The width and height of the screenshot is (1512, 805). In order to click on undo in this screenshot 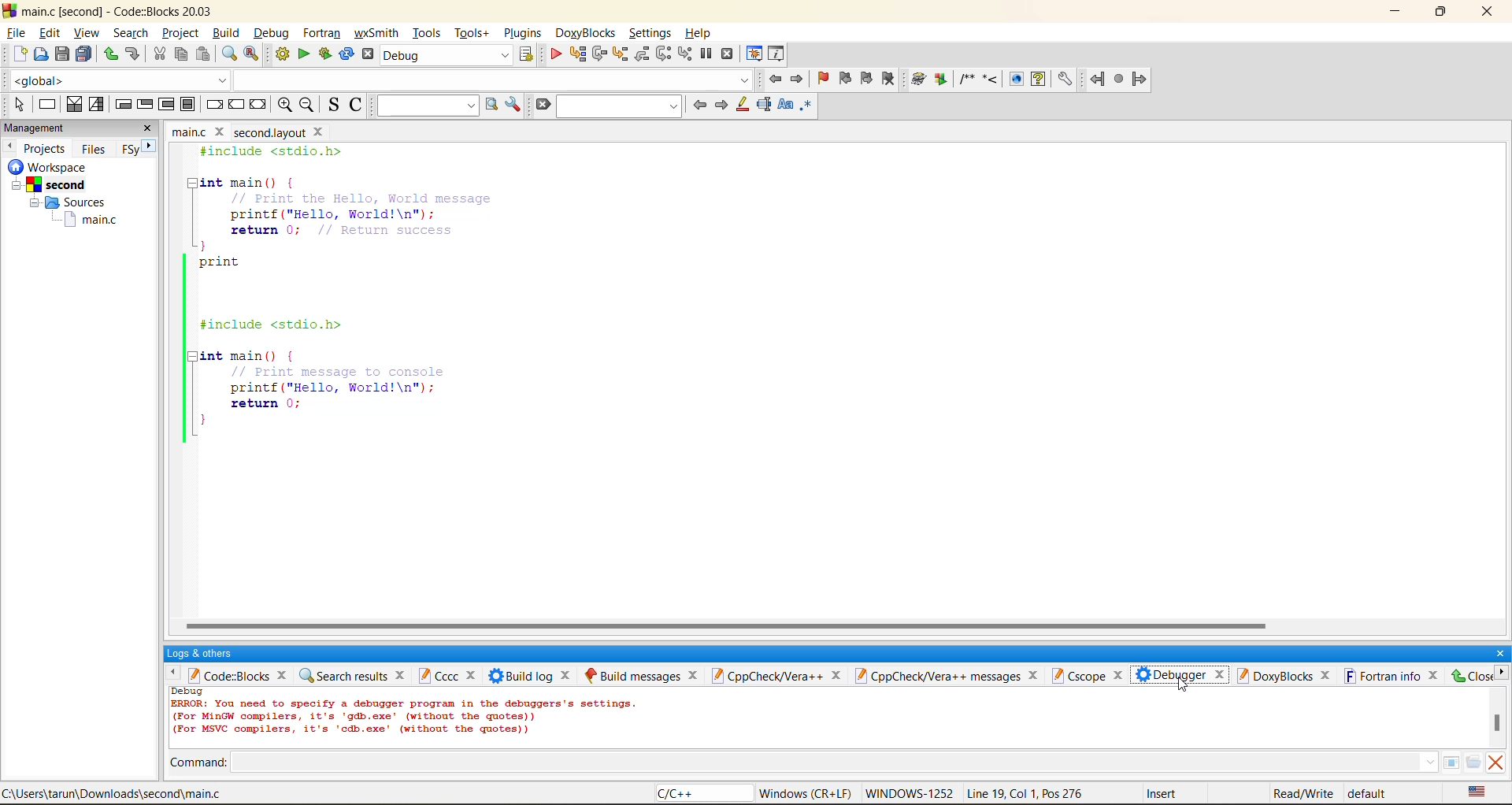, I will do `click(109, 54)`.